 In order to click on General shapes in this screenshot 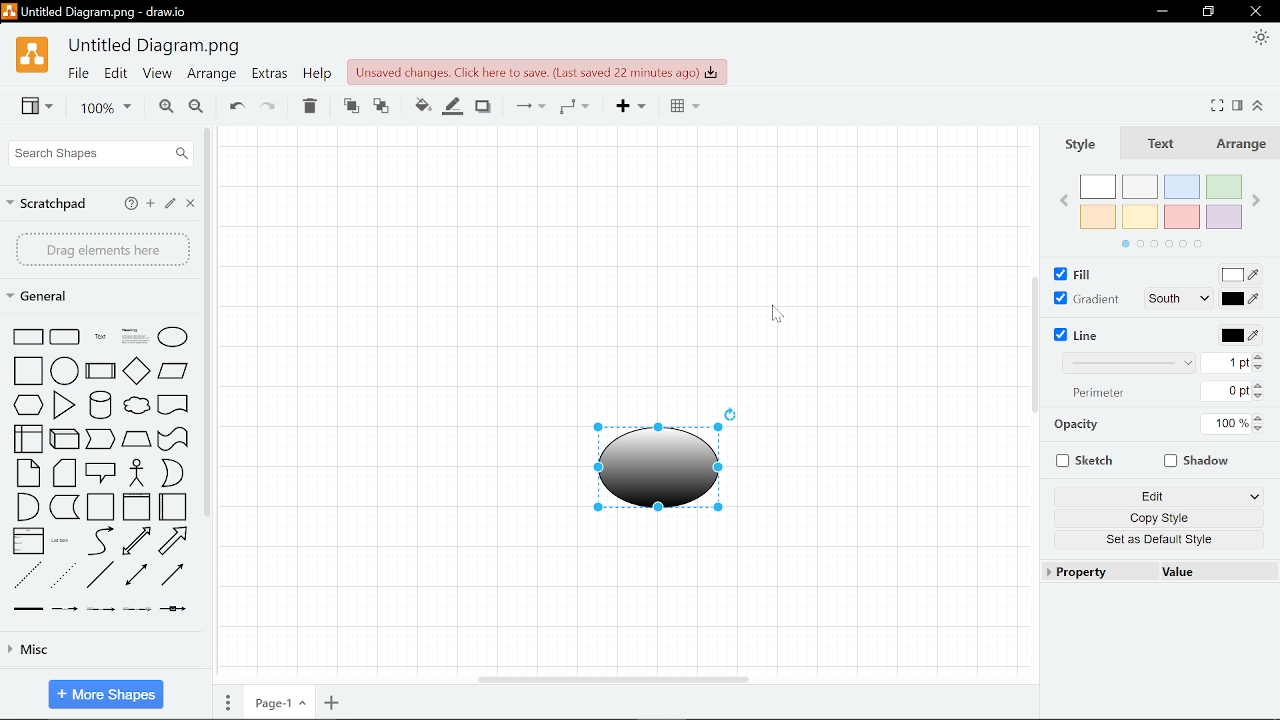, I will do `click(96, 295)`.